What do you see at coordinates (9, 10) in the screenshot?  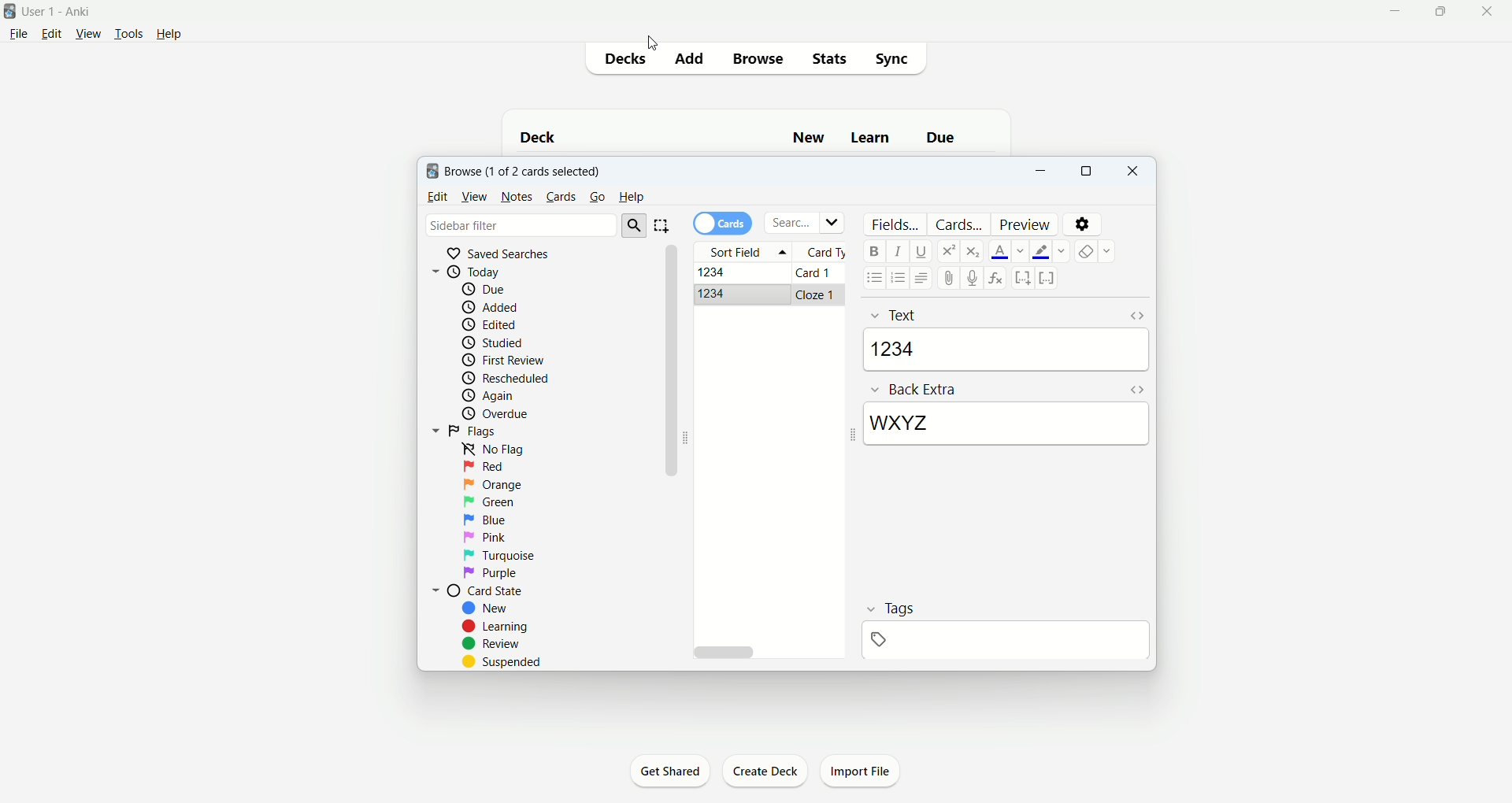 I see `logo` at bounding box center [9, 10].